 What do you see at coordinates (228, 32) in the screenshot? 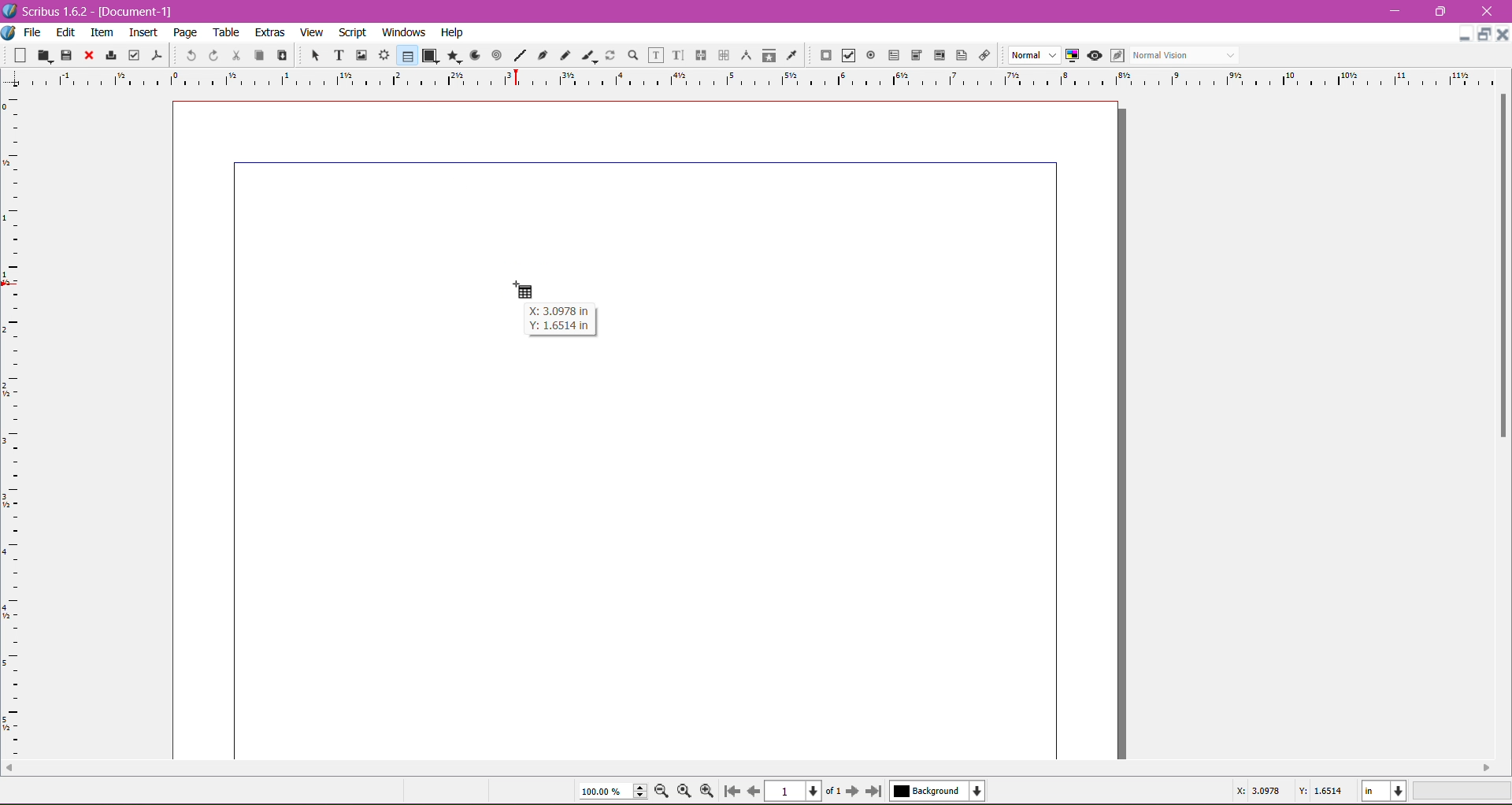
I see `Table` at bounding box center [228, 32].